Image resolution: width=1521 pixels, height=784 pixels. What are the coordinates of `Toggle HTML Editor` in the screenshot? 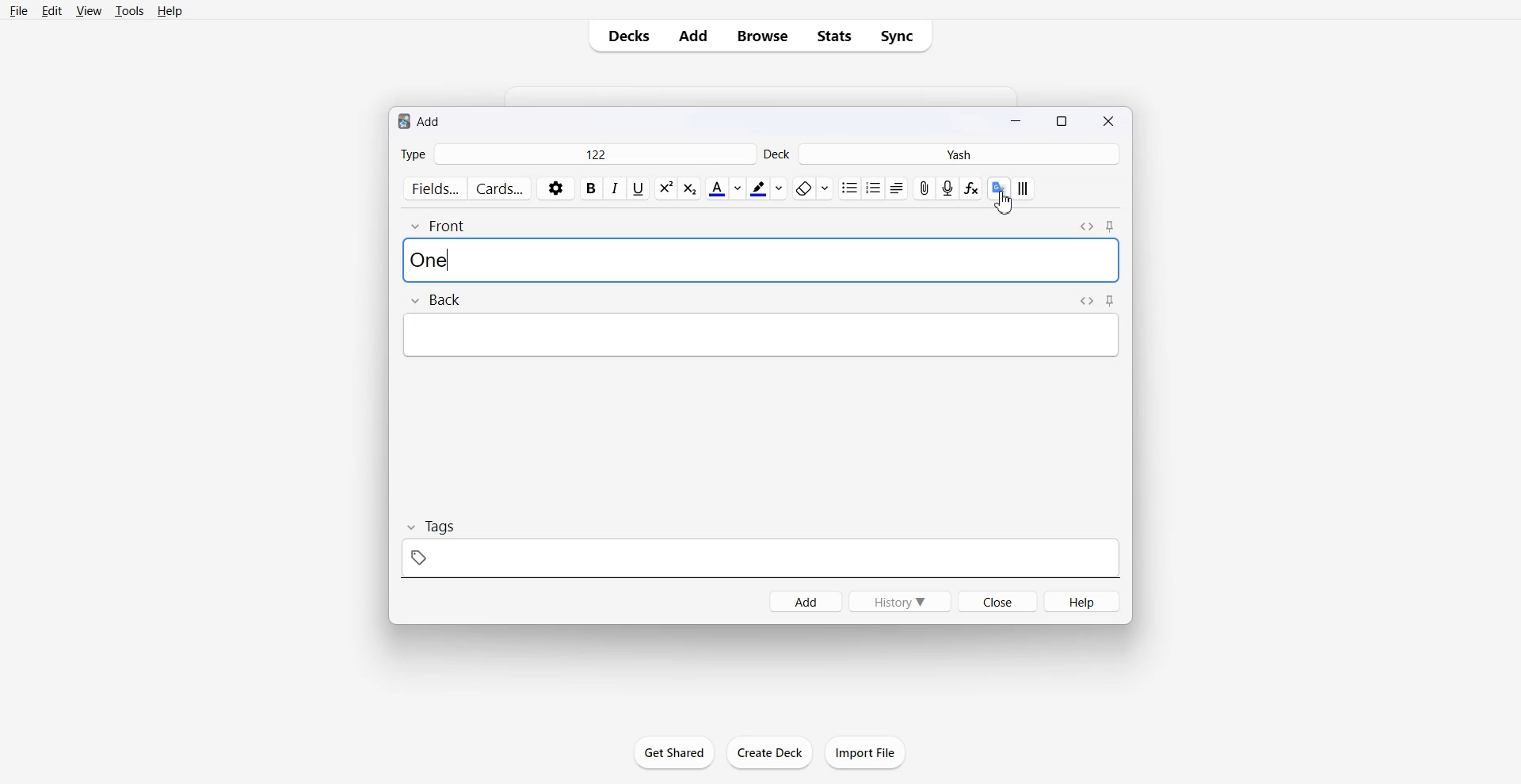 It's located at (1084, 300).